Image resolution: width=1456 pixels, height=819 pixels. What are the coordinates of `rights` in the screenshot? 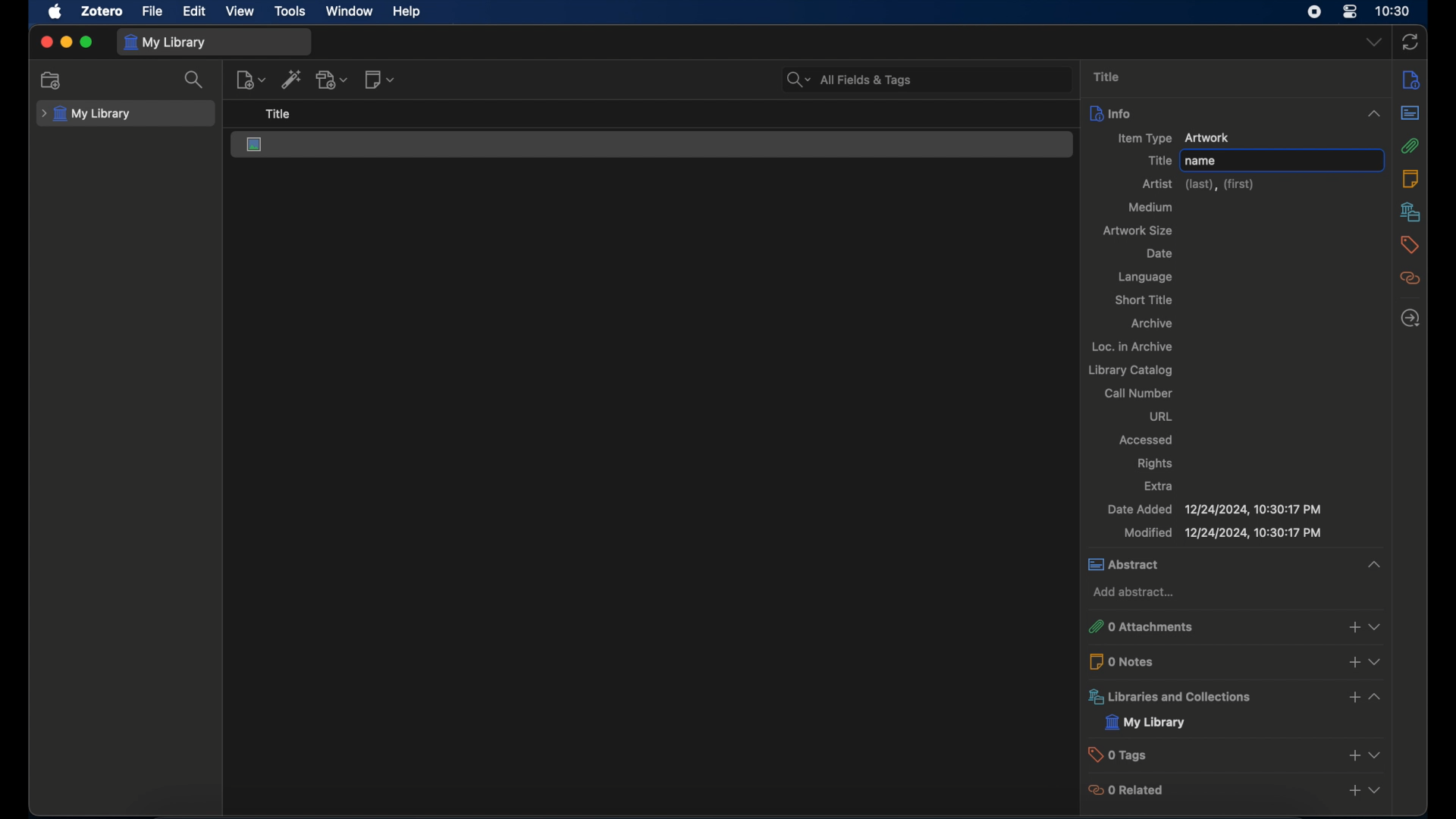 It's located at (1155, 464).